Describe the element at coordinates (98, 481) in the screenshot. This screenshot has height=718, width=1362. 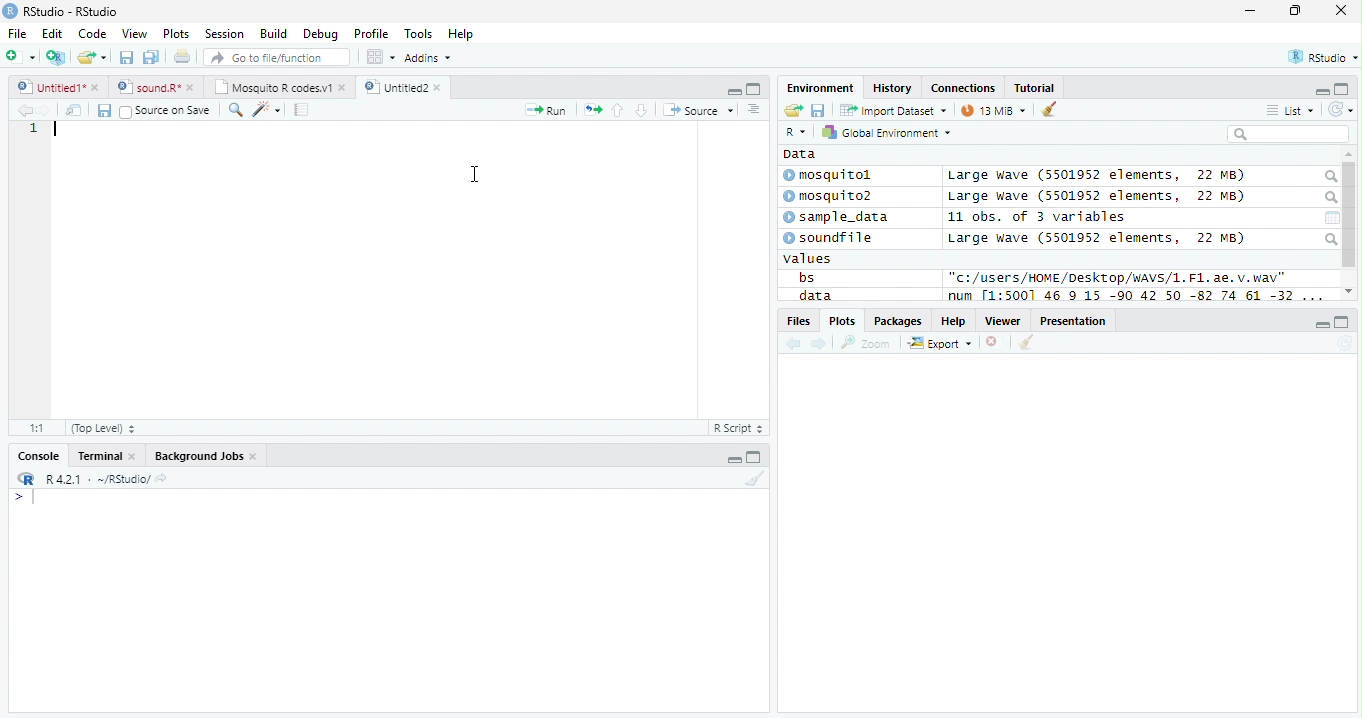
I see `R 4.2.1 - ~/RStudio/` at that location.